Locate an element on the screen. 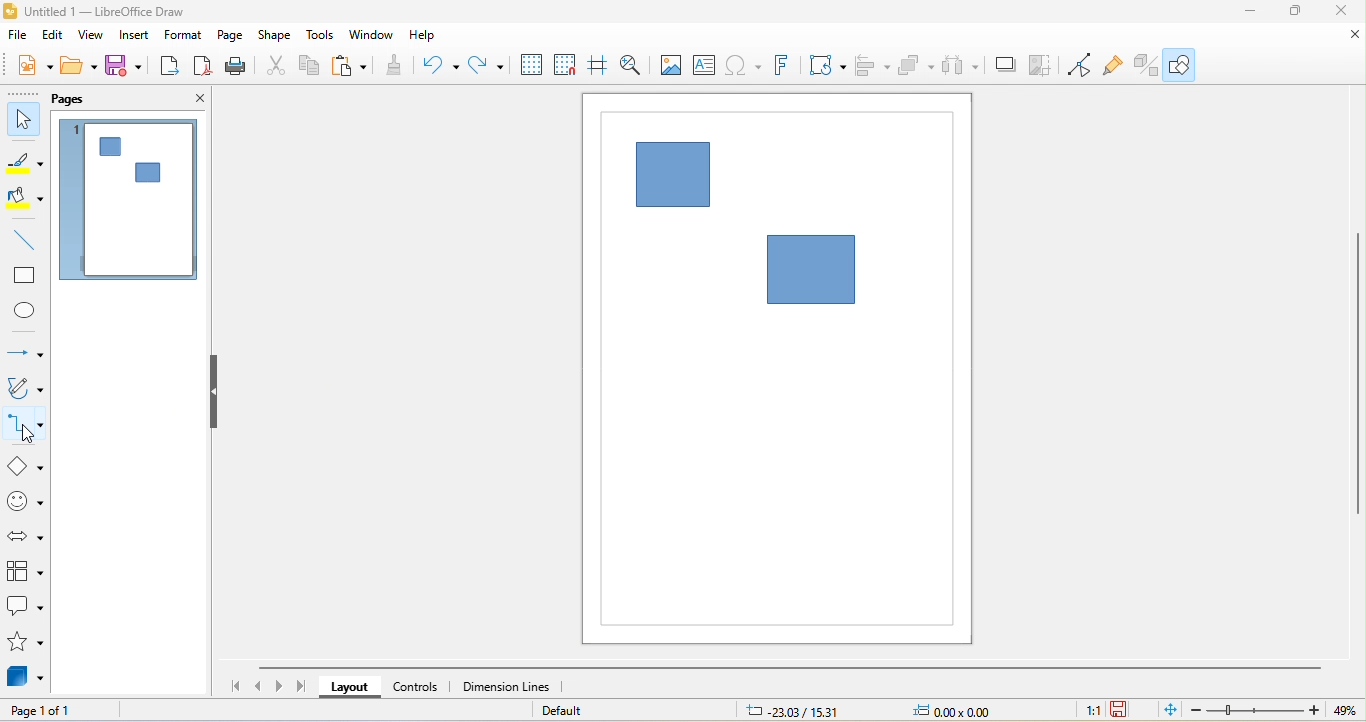 Image resolution: width=1366 pixels, height=722 pixels. image is located at coordinates (671, 65).